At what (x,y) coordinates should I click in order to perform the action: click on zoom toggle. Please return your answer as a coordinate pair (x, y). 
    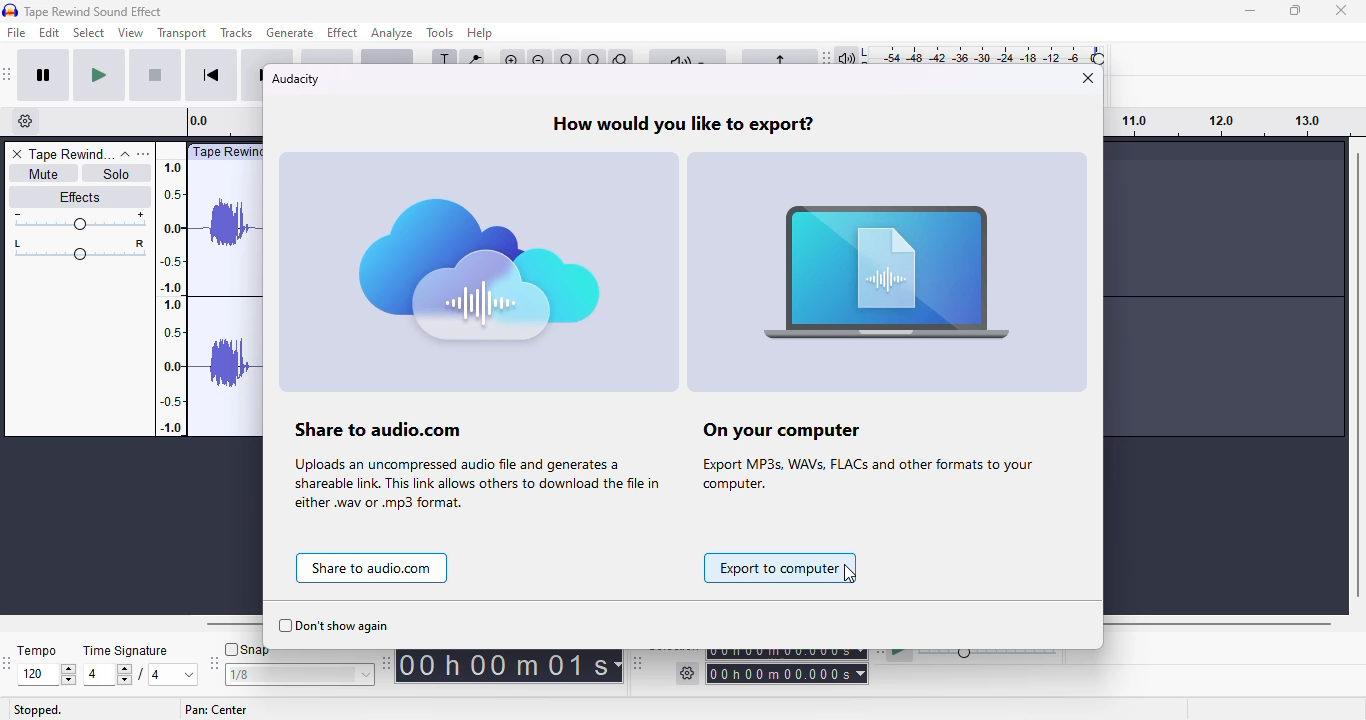
    Looking at the image, I should click on (622, 62).